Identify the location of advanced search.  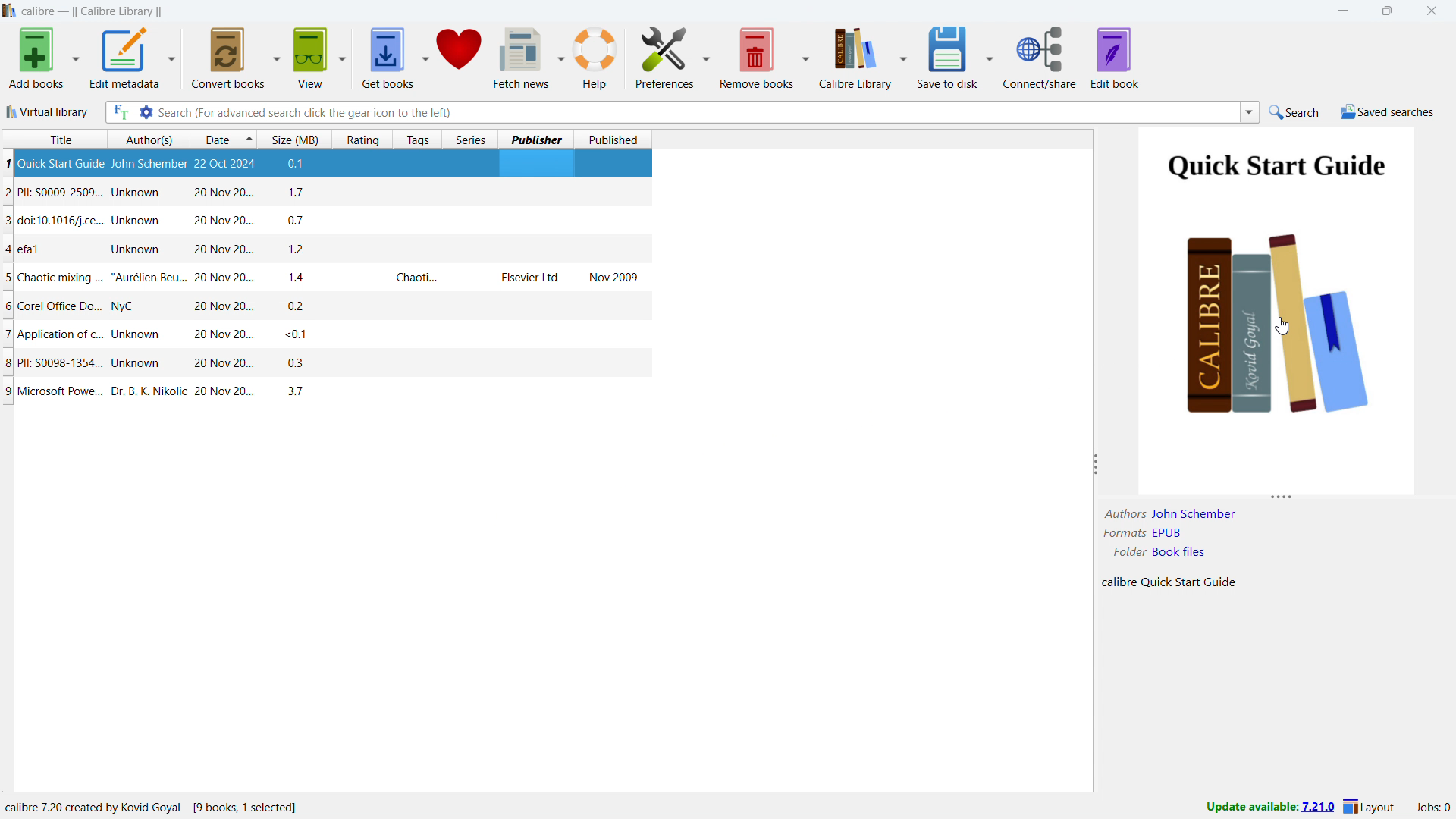
(145, 111).